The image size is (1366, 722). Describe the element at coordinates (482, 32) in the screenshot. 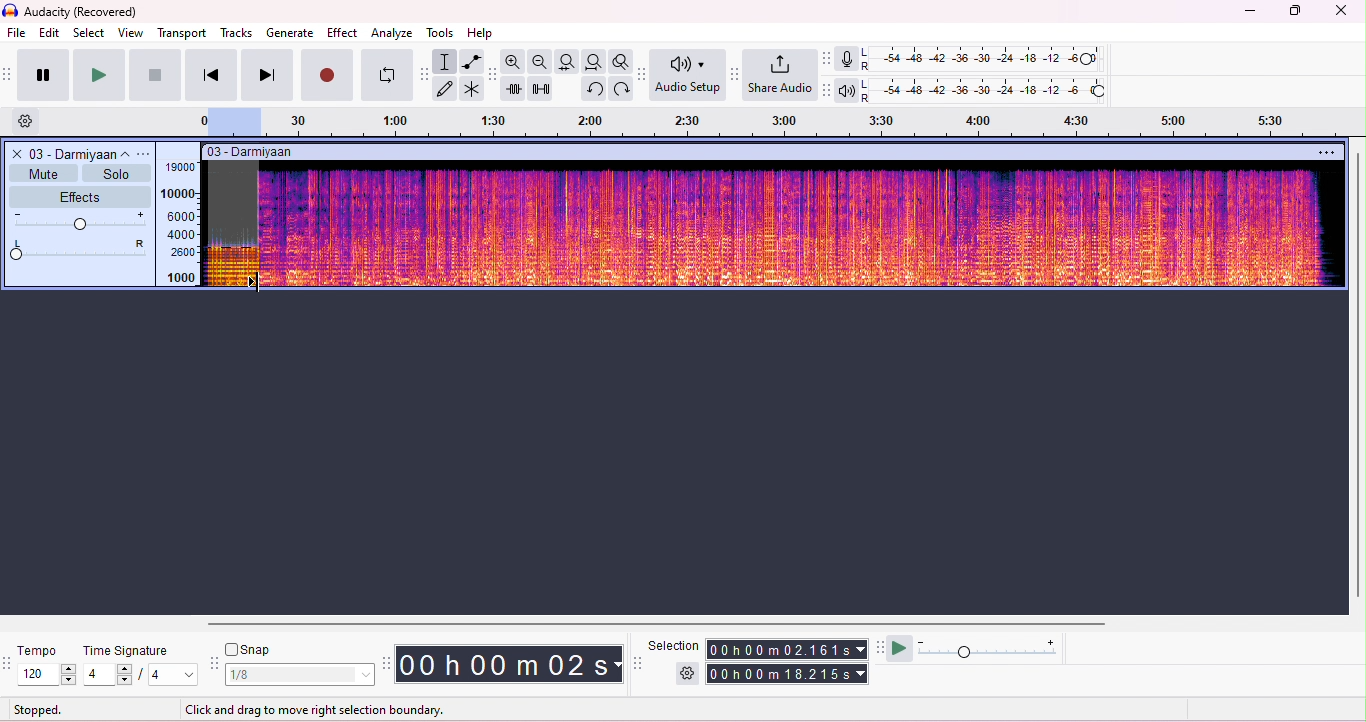

I see `help` at that location.